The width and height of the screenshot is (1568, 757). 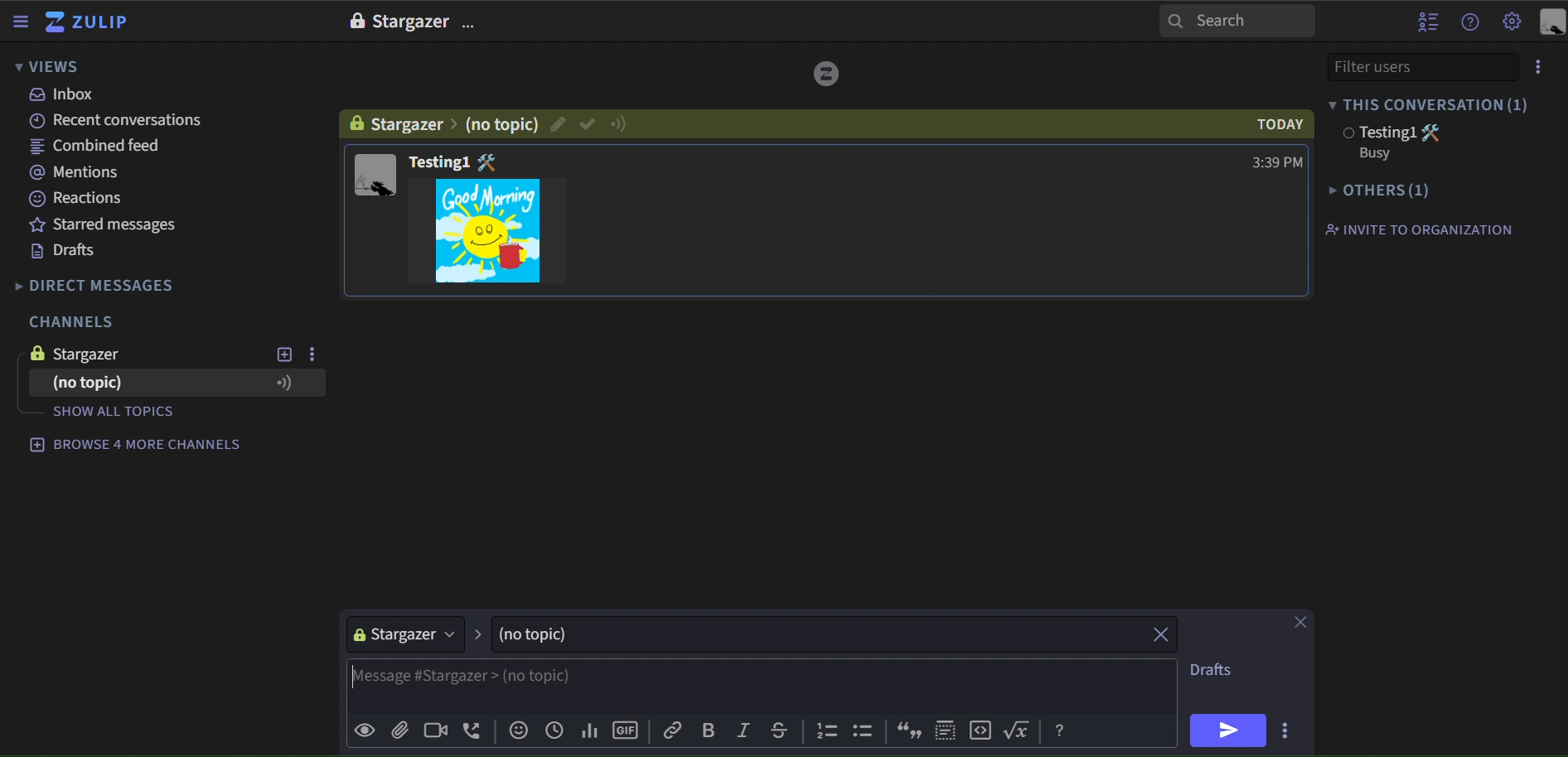 I want to click on close, so click(x=1298, y=622).